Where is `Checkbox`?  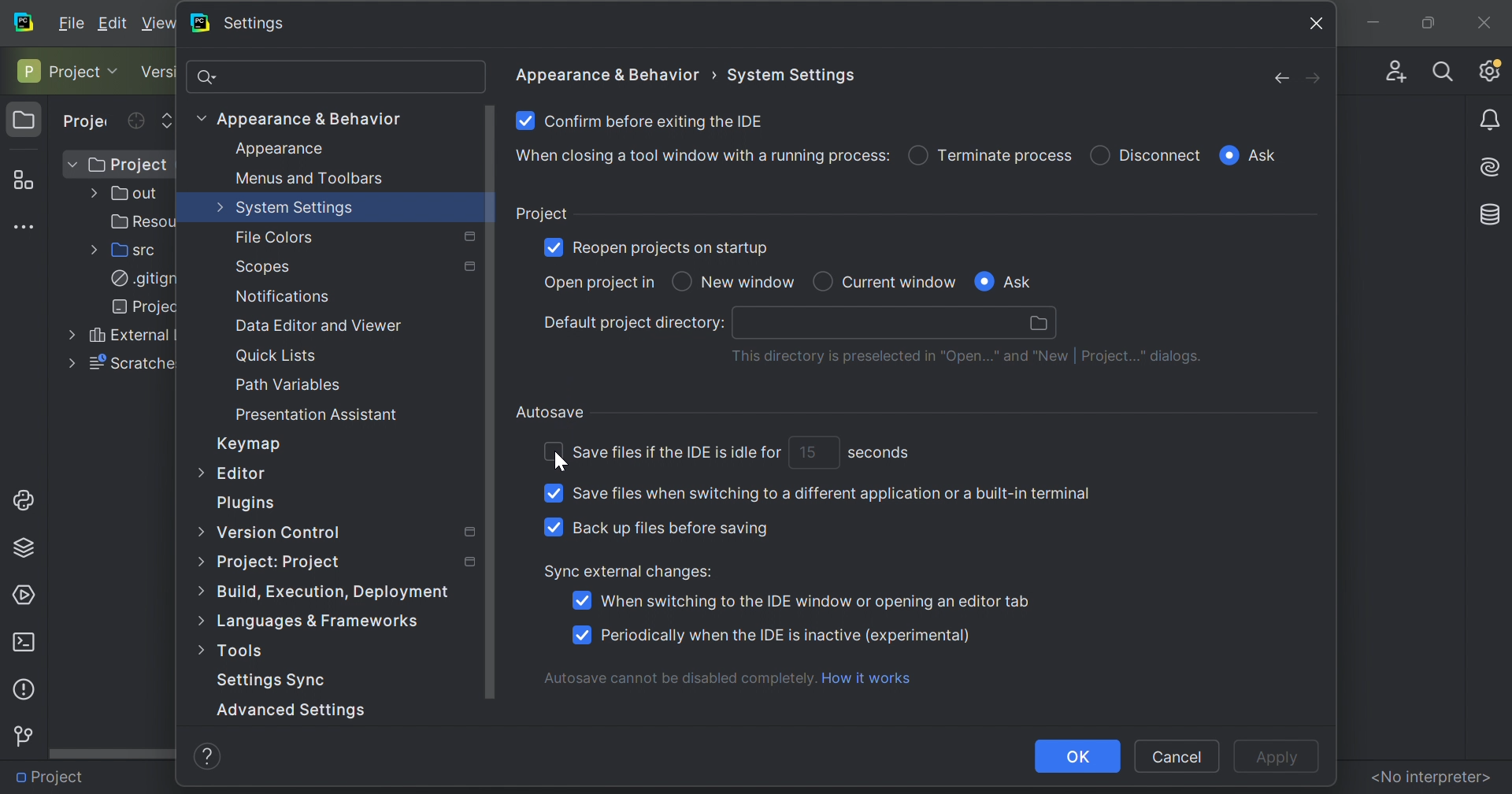 Checkbox is located at coordinates (983, 281).